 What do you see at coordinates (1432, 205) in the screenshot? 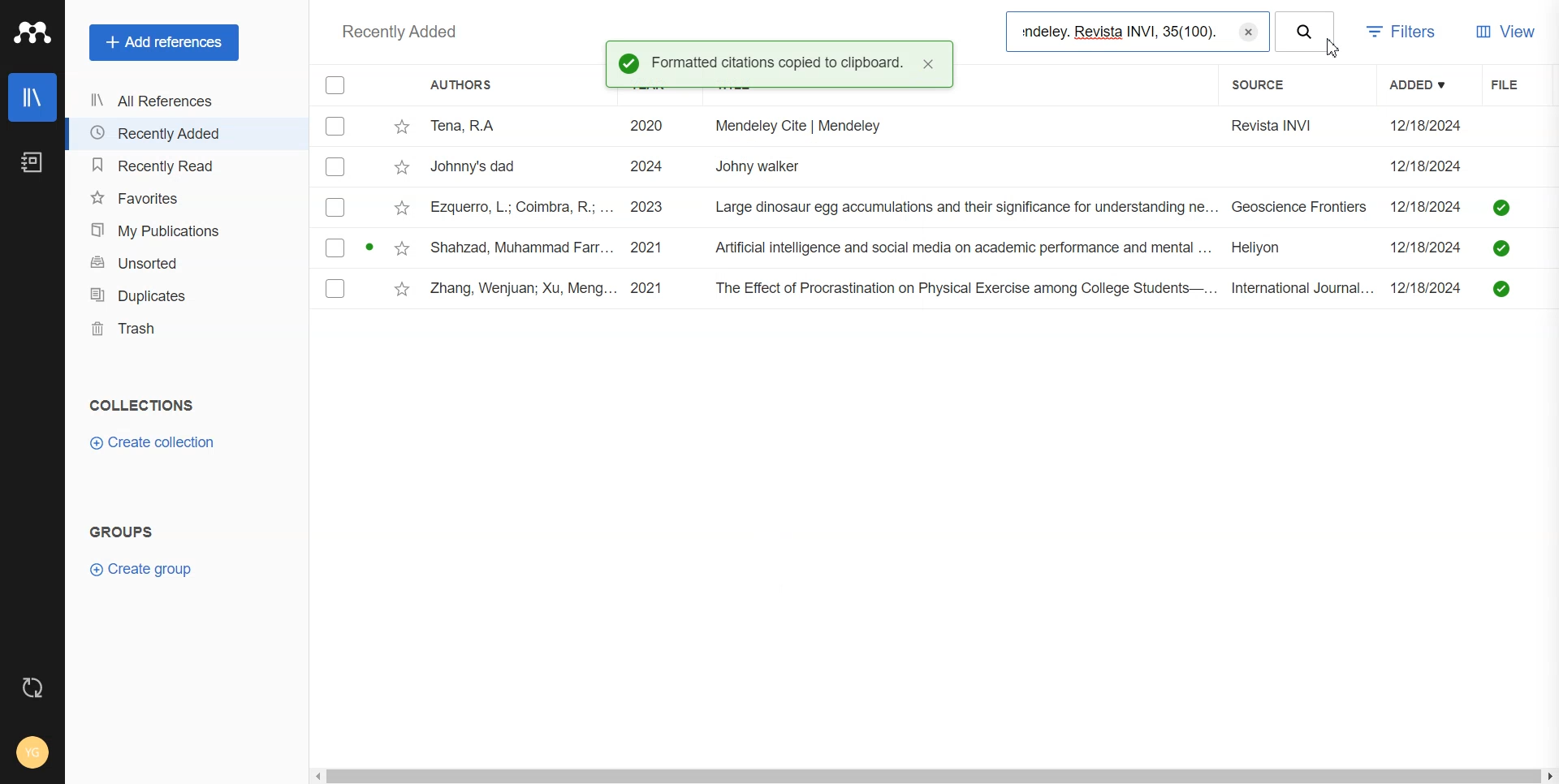
I see `12/18/2024` at bounding box center [1432, 205].